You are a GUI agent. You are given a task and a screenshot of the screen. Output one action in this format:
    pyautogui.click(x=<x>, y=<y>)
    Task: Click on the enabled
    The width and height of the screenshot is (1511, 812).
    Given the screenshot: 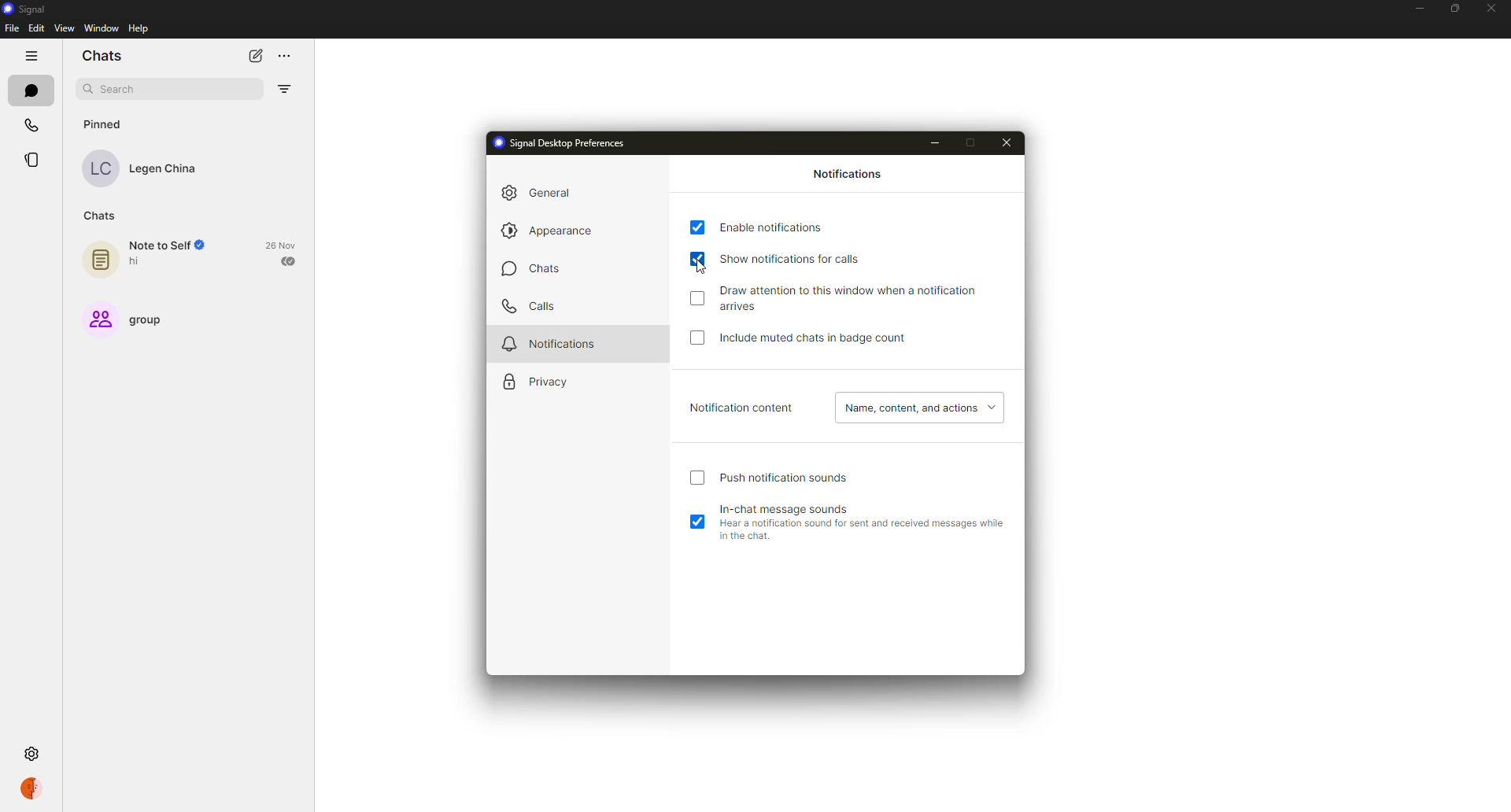 What is the action you would take?
    pyautogui.click(x=697, y=227)
    